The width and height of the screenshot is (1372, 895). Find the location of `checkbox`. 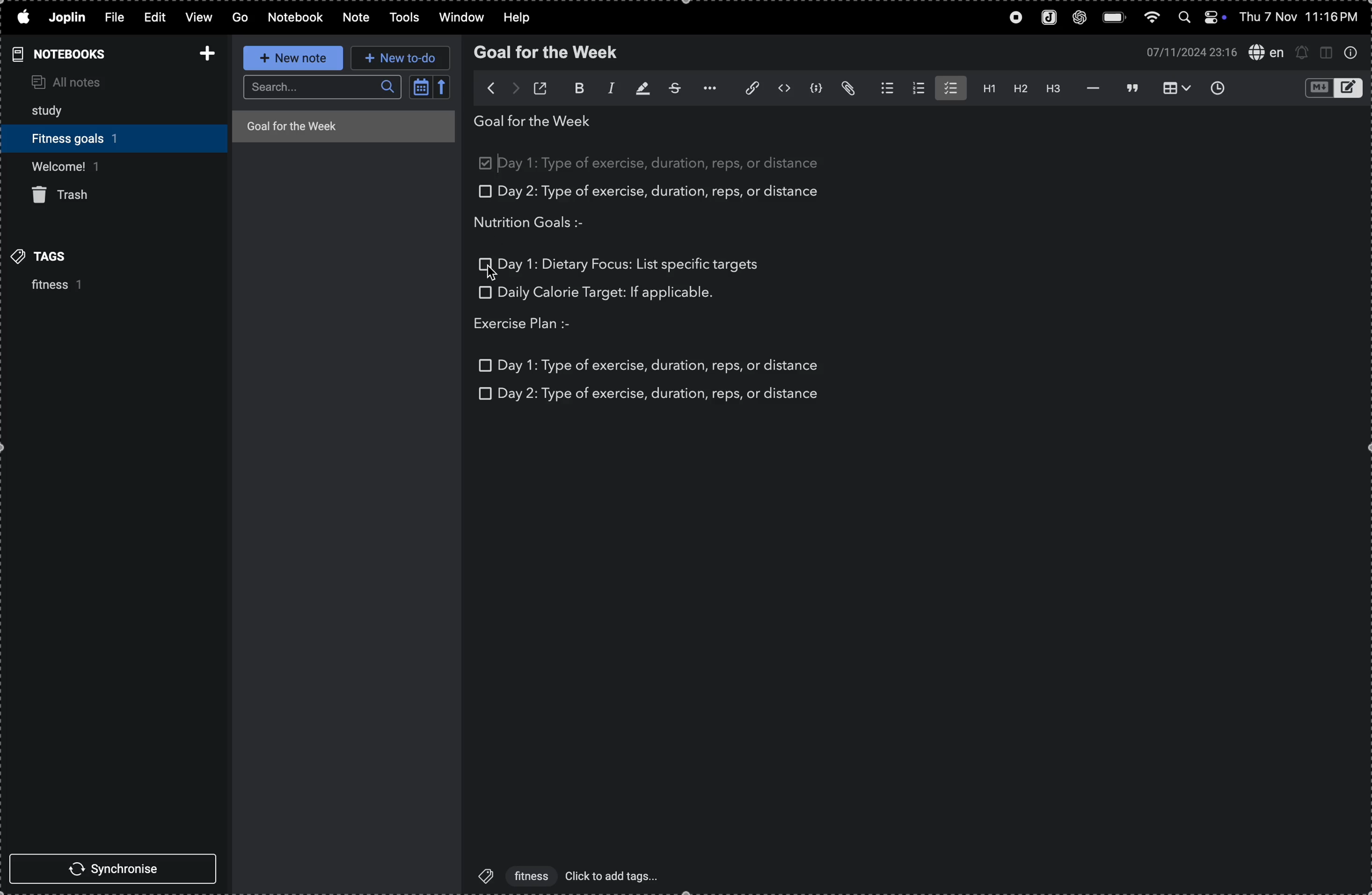

checkbox is located at coordinates (487, 365).